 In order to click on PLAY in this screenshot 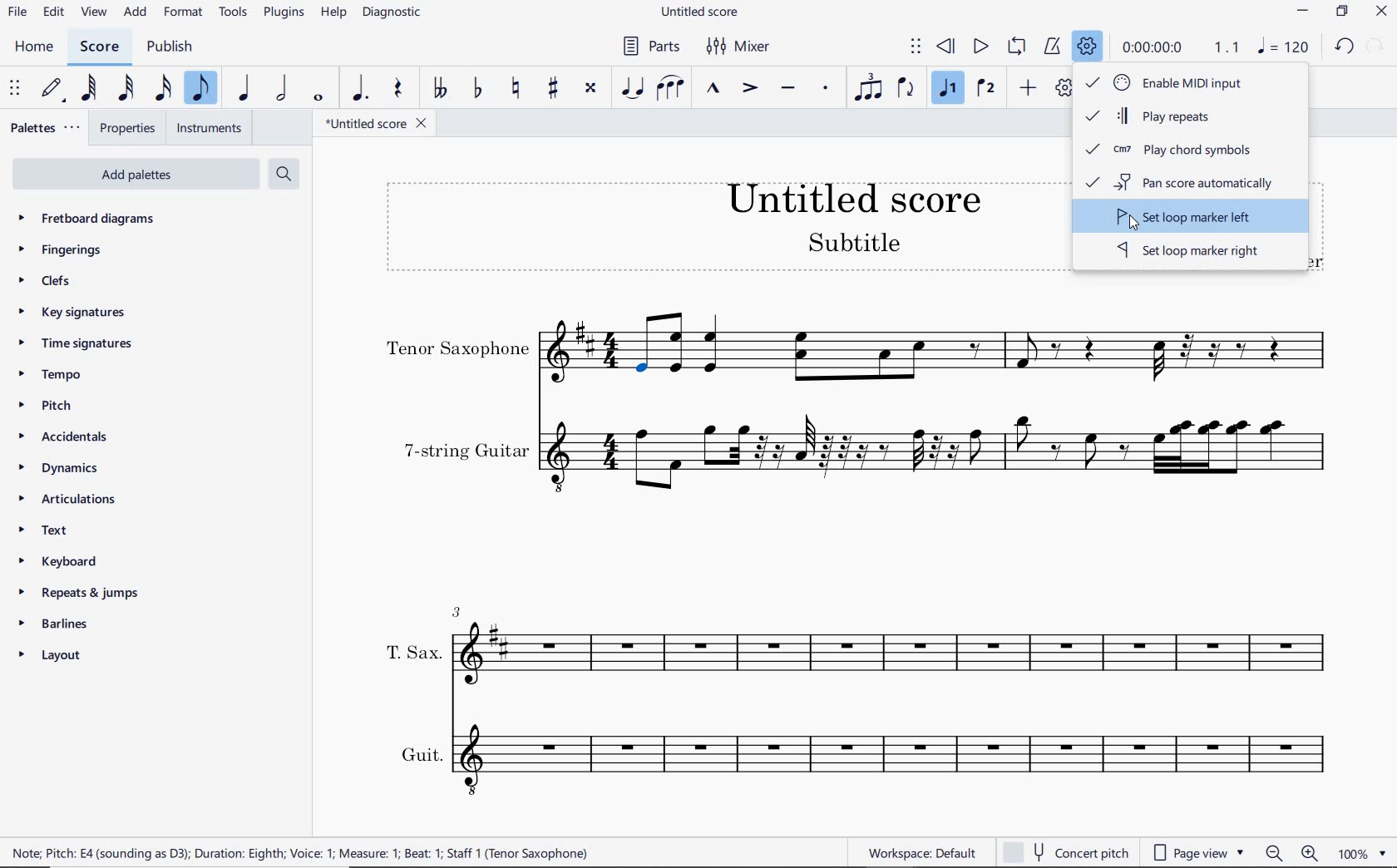, I will do `click(980, 47)`.